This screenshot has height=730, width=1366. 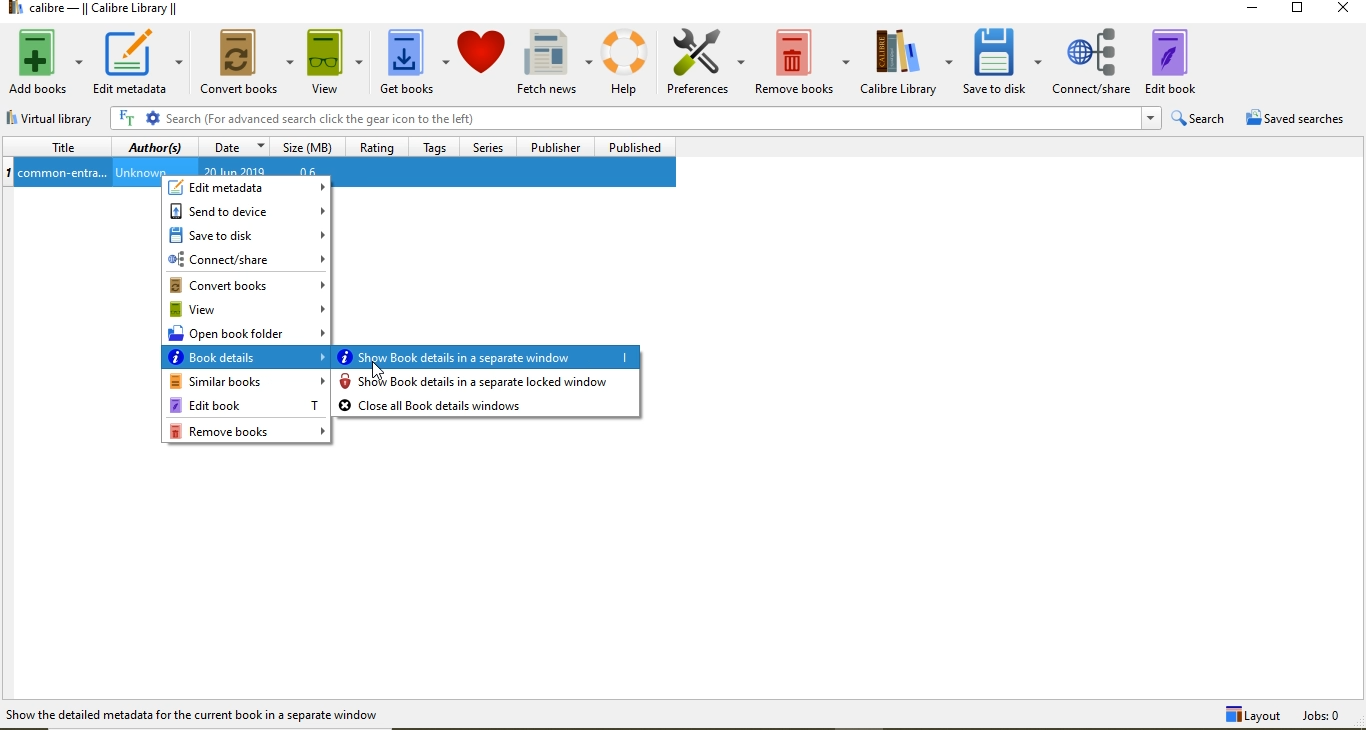 I want to click on publisher, so click(x=553, y=147).